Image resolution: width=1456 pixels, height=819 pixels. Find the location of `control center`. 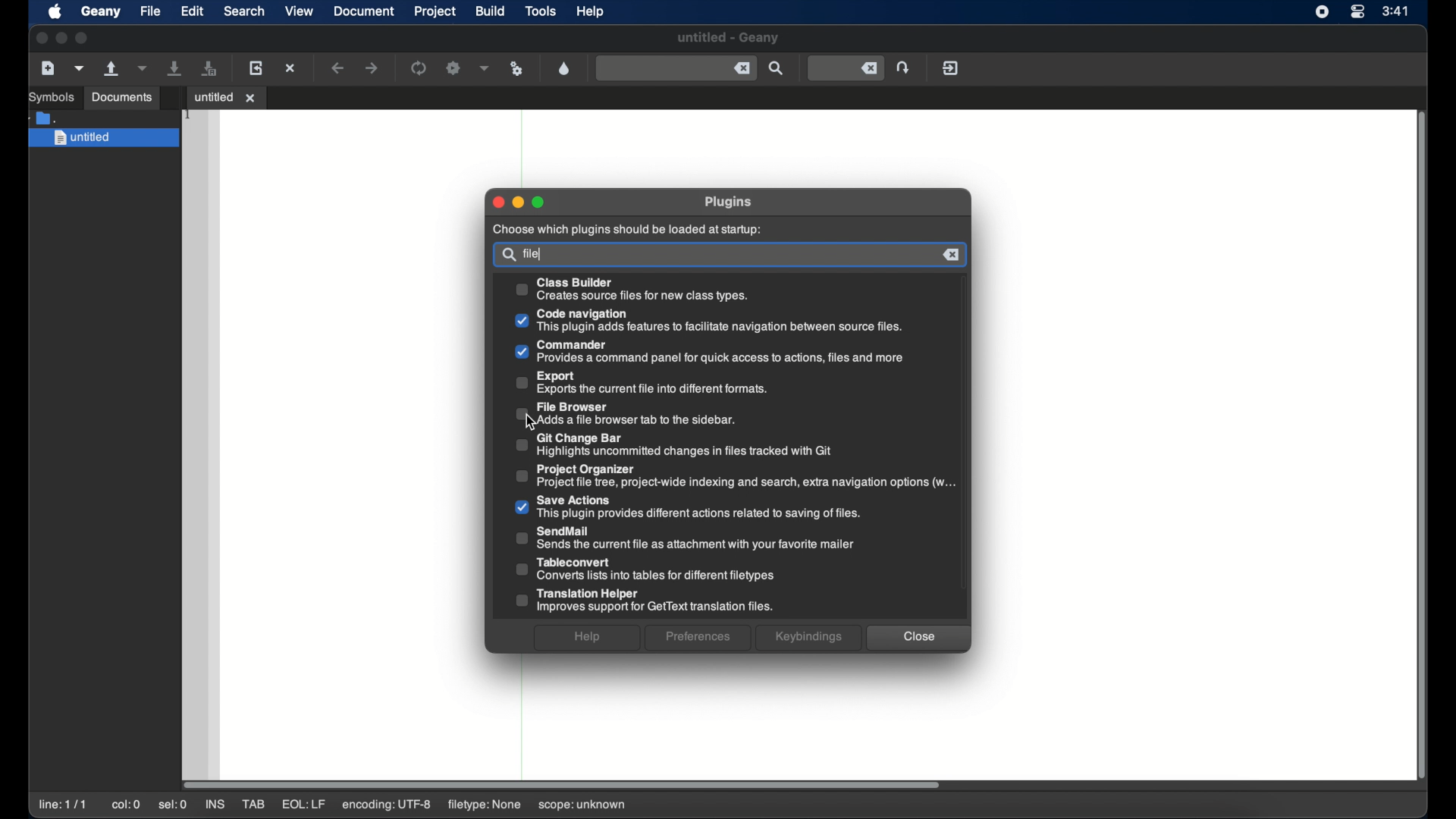

control center is located at coordinates (1359, 12).